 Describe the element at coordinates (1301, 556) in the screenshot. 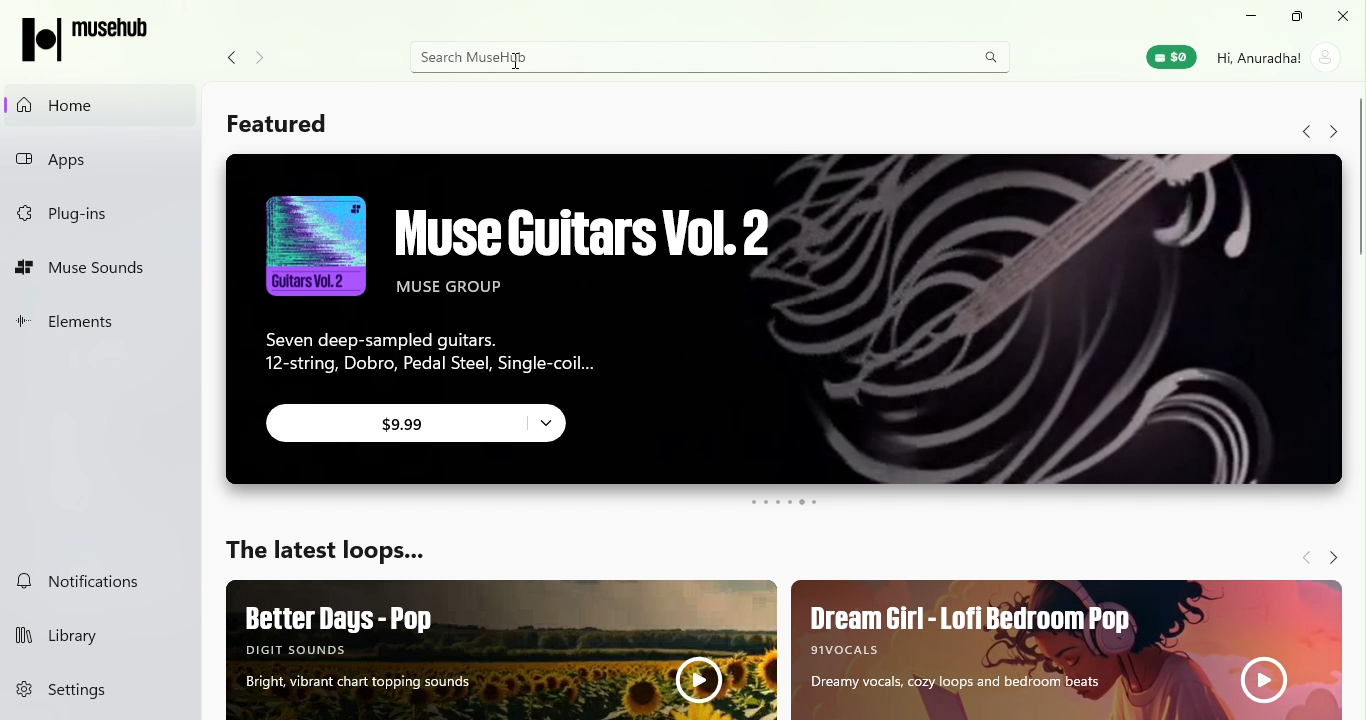

I see `Navigate forward` at that location.